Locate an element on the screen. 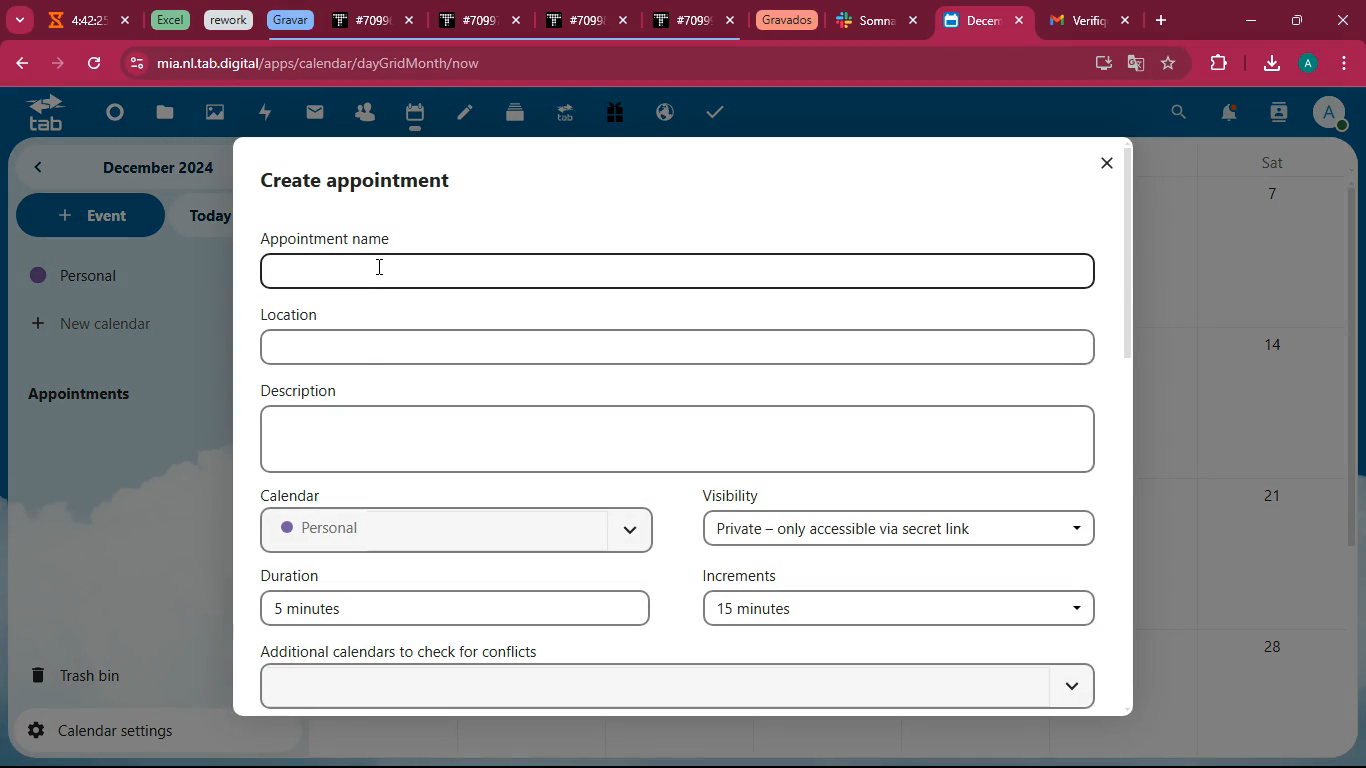 The image size is (1366, 768). profile is located at coordinates (1311, 63).